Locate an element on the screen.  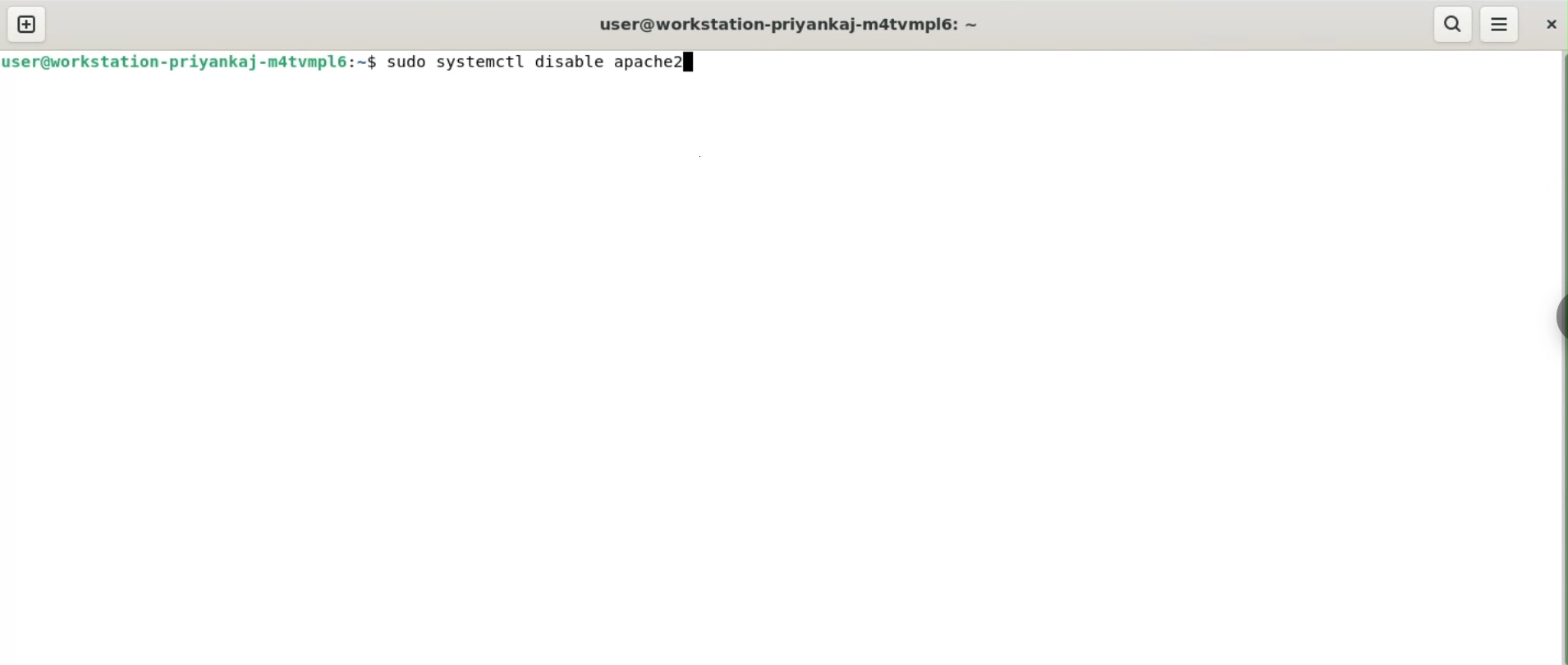
new tab is located at coordinates (28, 23).